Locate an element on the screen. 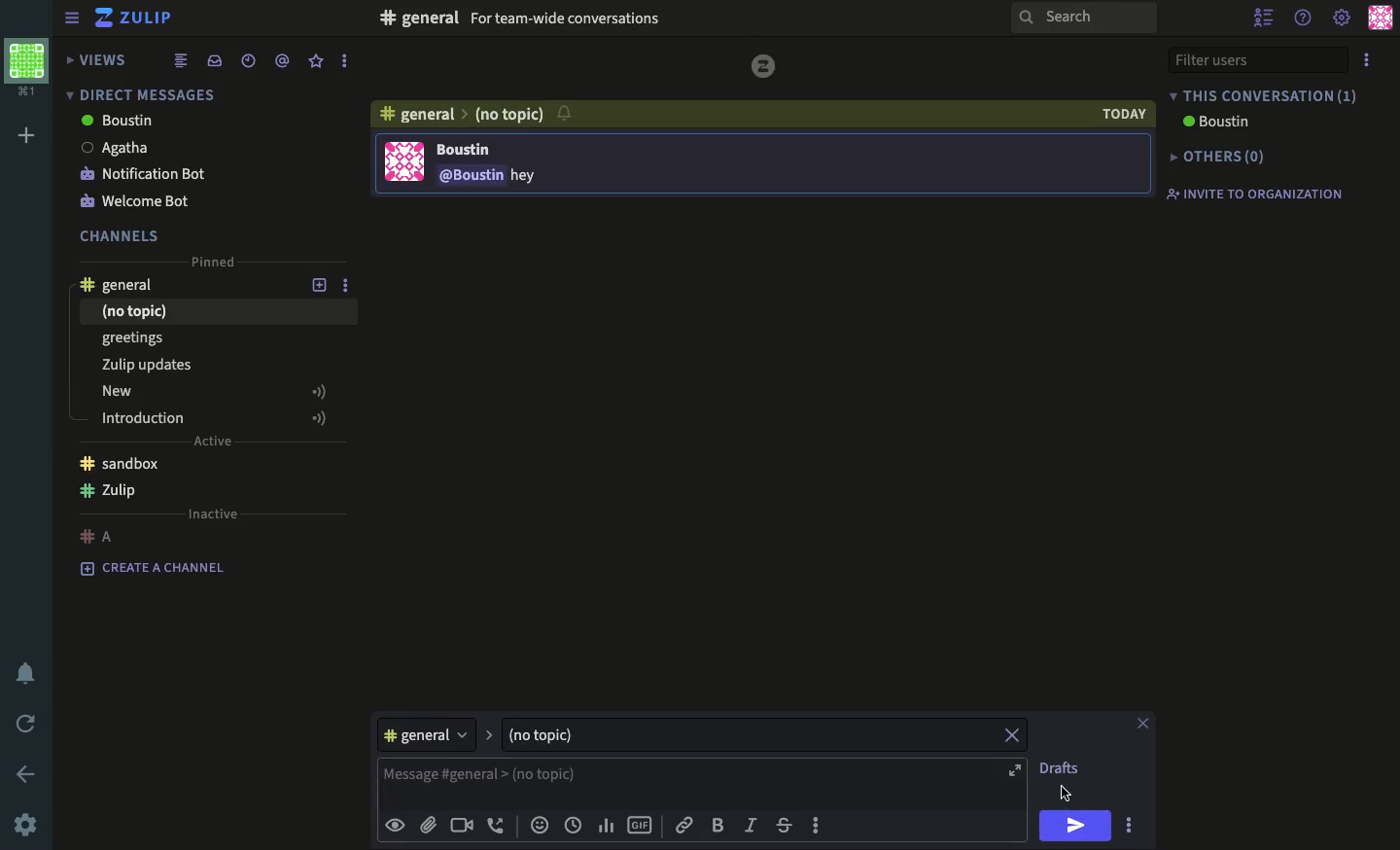  settings is located at coordinates (24, 827).